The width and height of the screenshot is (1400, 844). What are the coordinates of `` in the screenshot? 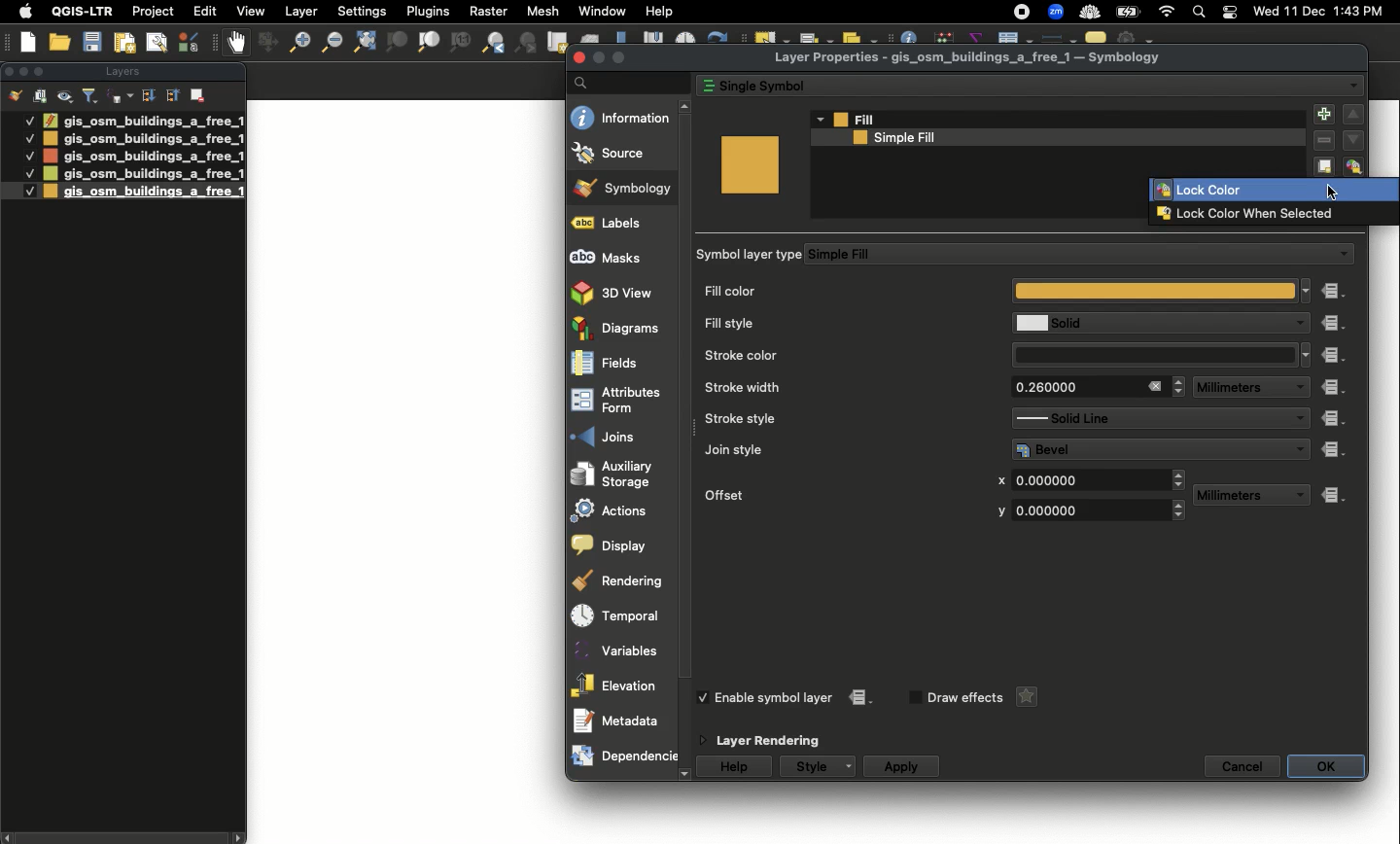 It's located at (1153, 354).